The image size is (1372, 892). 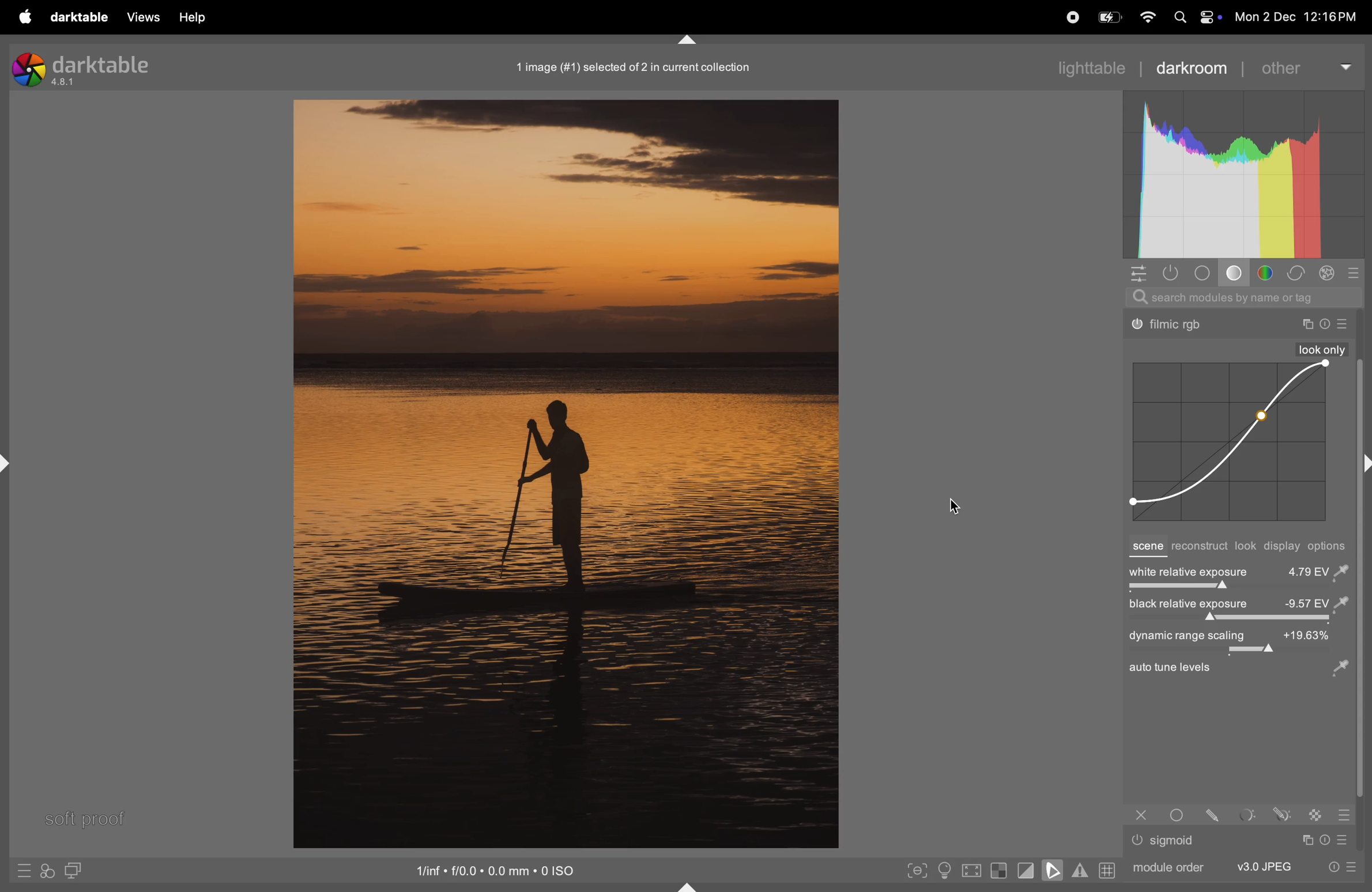 I want to click on , so click(x=1282, y=814).